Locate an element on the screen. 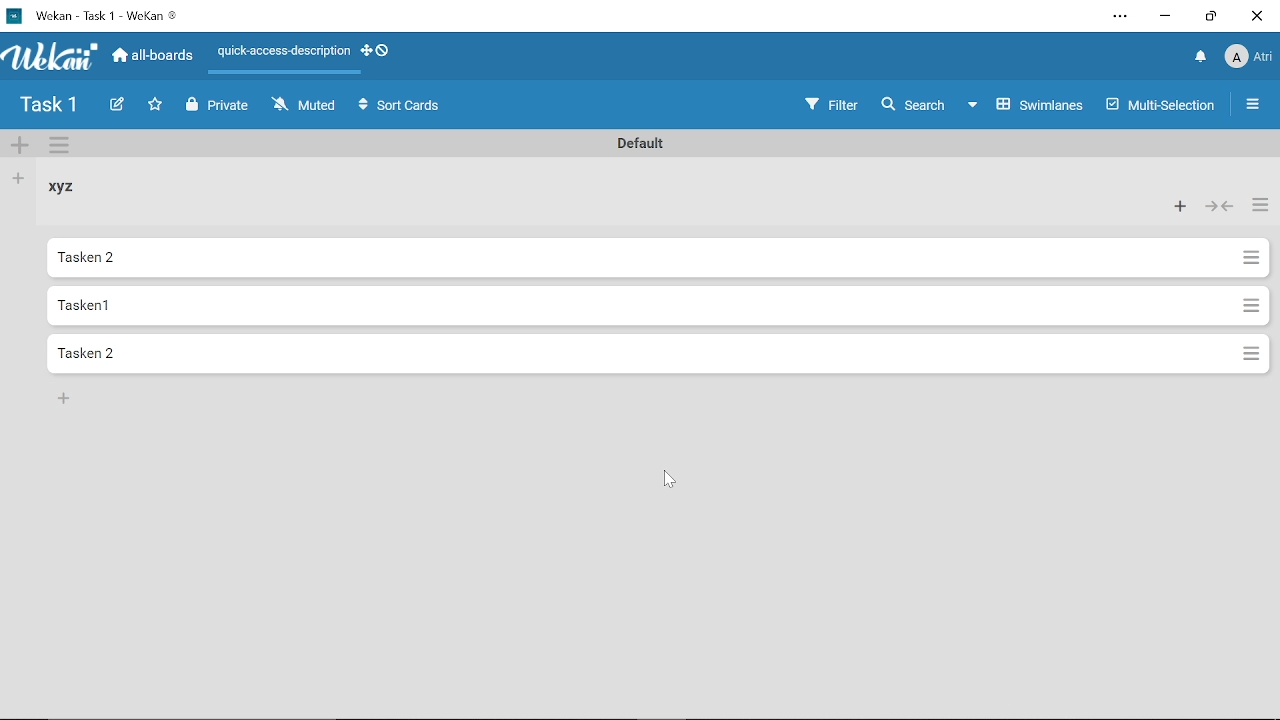 This screenshot has height=720, width=1280. manage card is located at coordinates (1250, 303).